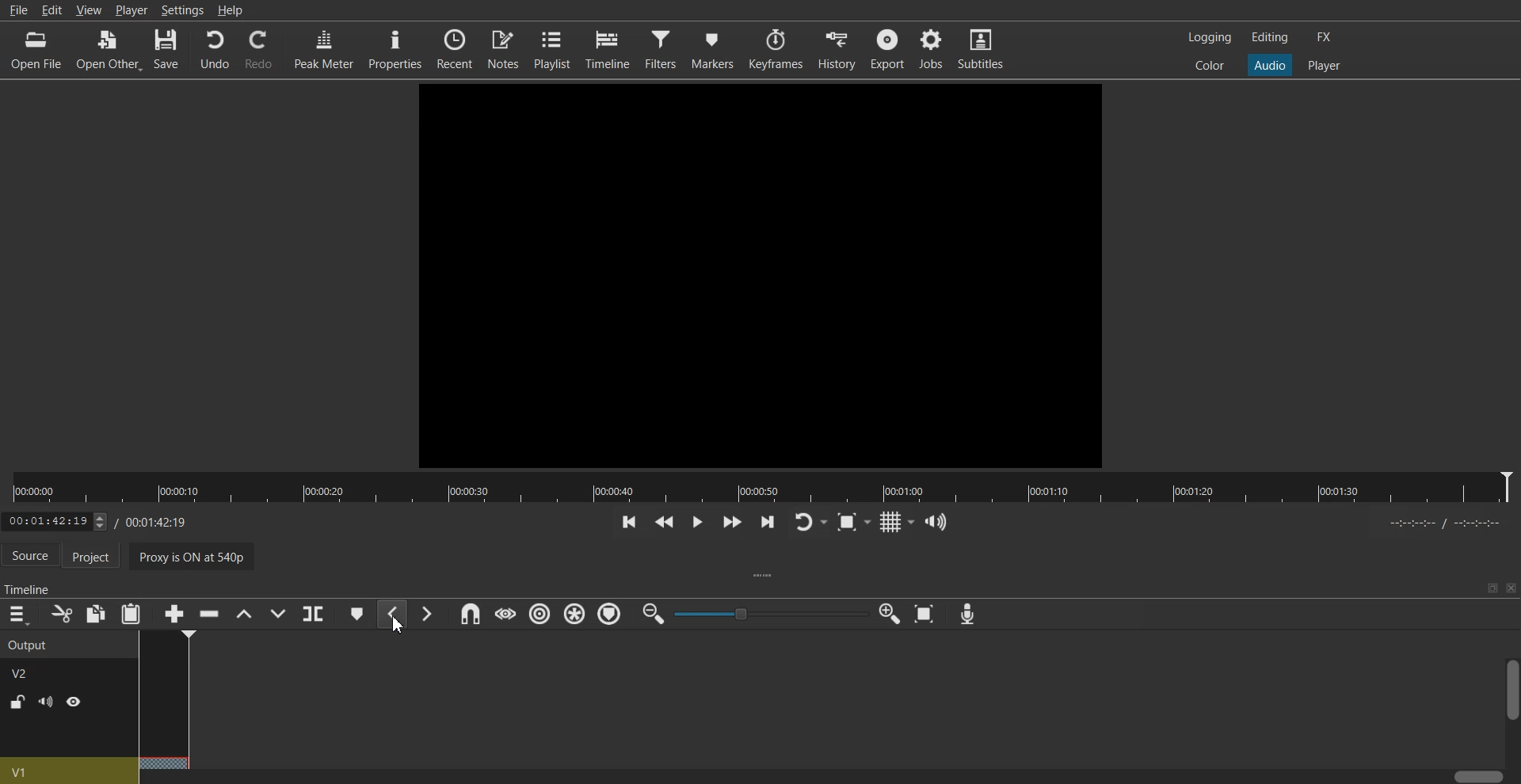 This screenshot has height=784, width=1521. What do you see at coordinates (898, 520) in the screenshot?
I see `Toggle grid display on the player` at bounding box center [898, 520].